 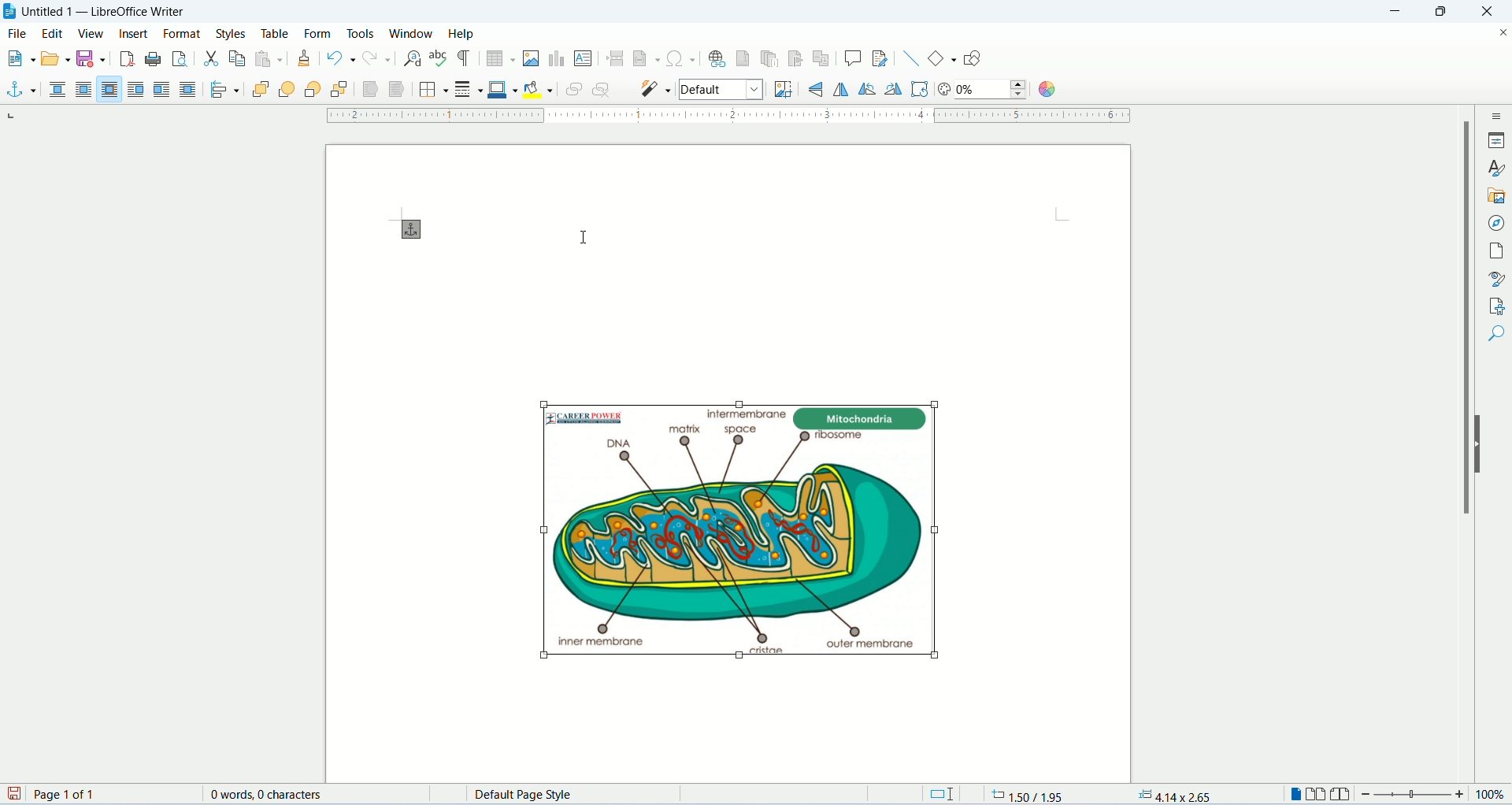 What do you see at coordinates (368, 90) in the screenshot?
I see `to foreground` at bounding box center [368, 90].